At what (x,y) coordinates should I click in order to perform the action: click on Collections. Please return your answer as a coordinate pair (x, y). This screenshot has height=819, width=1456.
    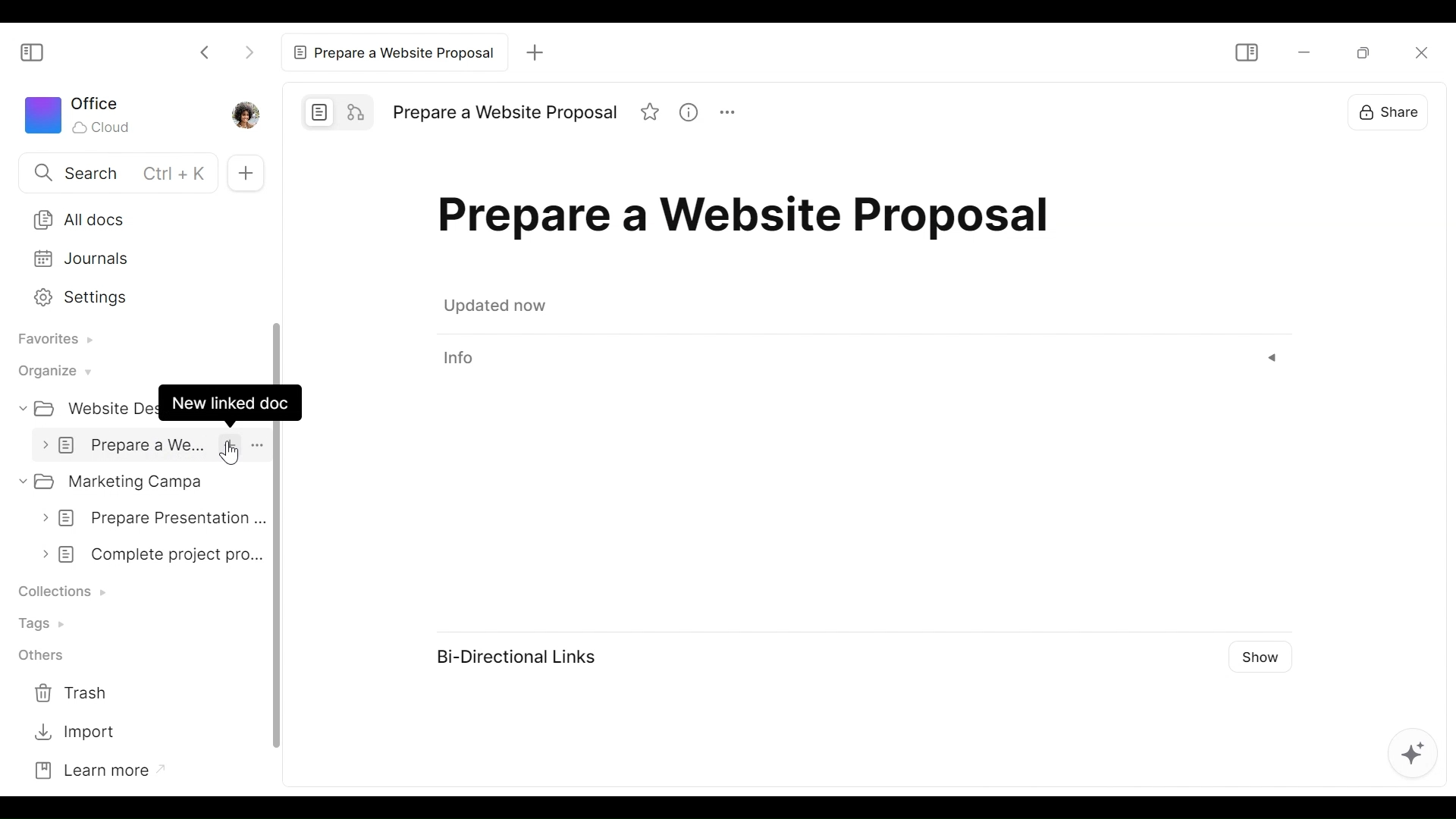
    Looking at the image, I should click on (61, 591).